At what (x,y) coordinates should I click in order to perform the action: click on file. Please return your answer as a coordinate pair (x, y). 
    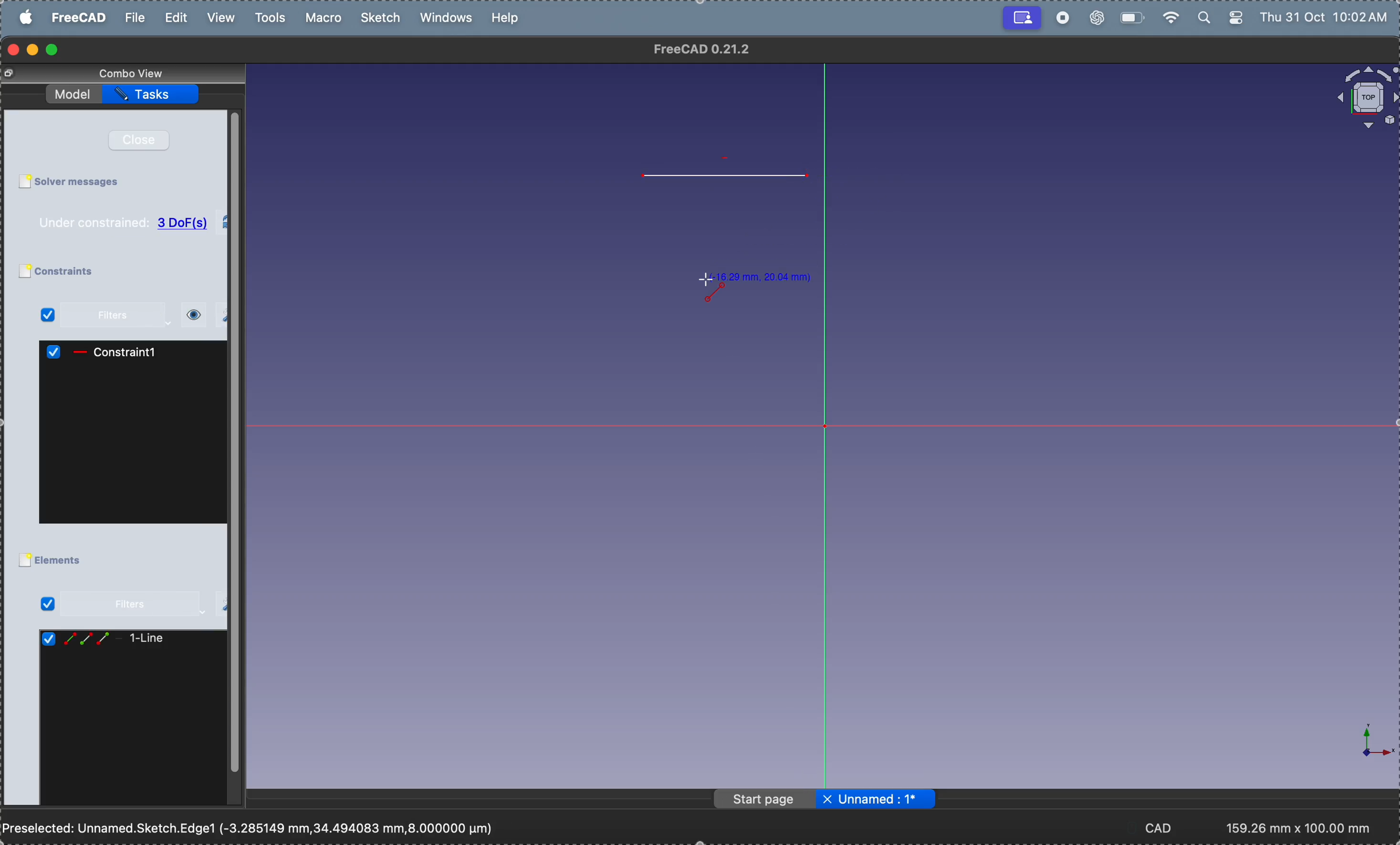
    Looking at the image, I should click on (135, 18).